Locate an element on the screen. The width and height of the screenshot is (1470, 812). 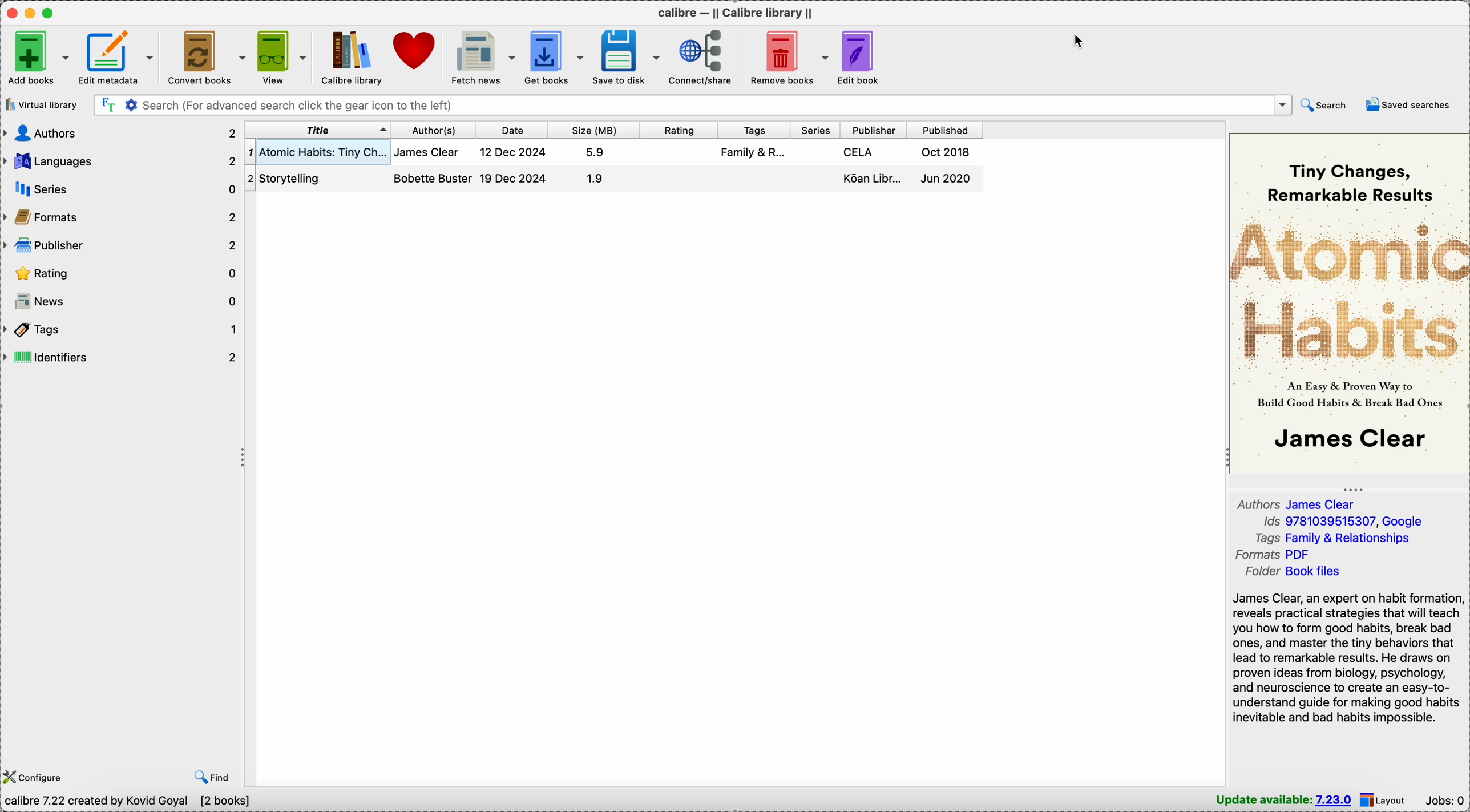
date is located at coordinates (516, 165).